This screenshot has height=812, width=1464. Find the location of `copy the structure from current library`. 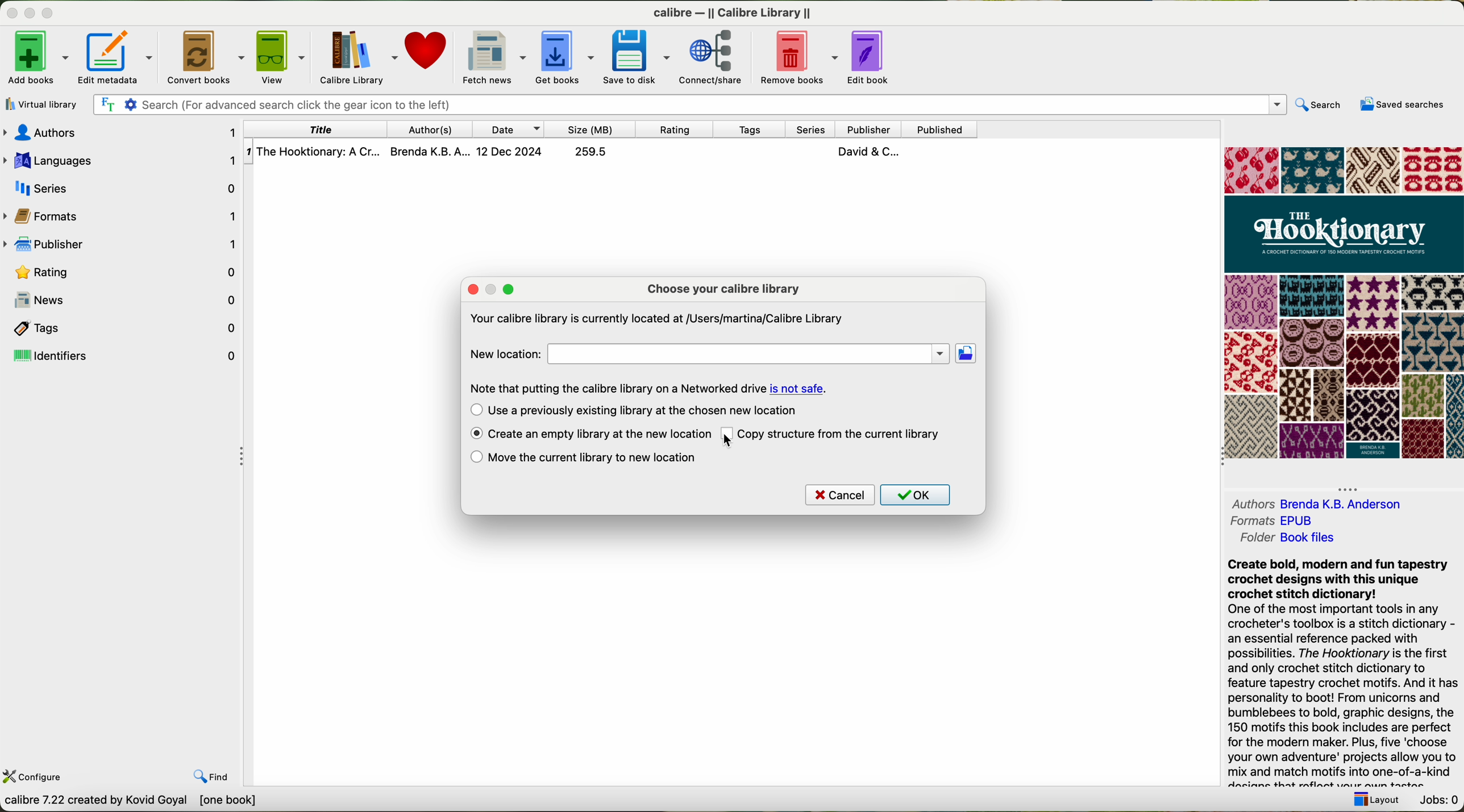

copy the structure from current library is located at coordinates (843, 436).